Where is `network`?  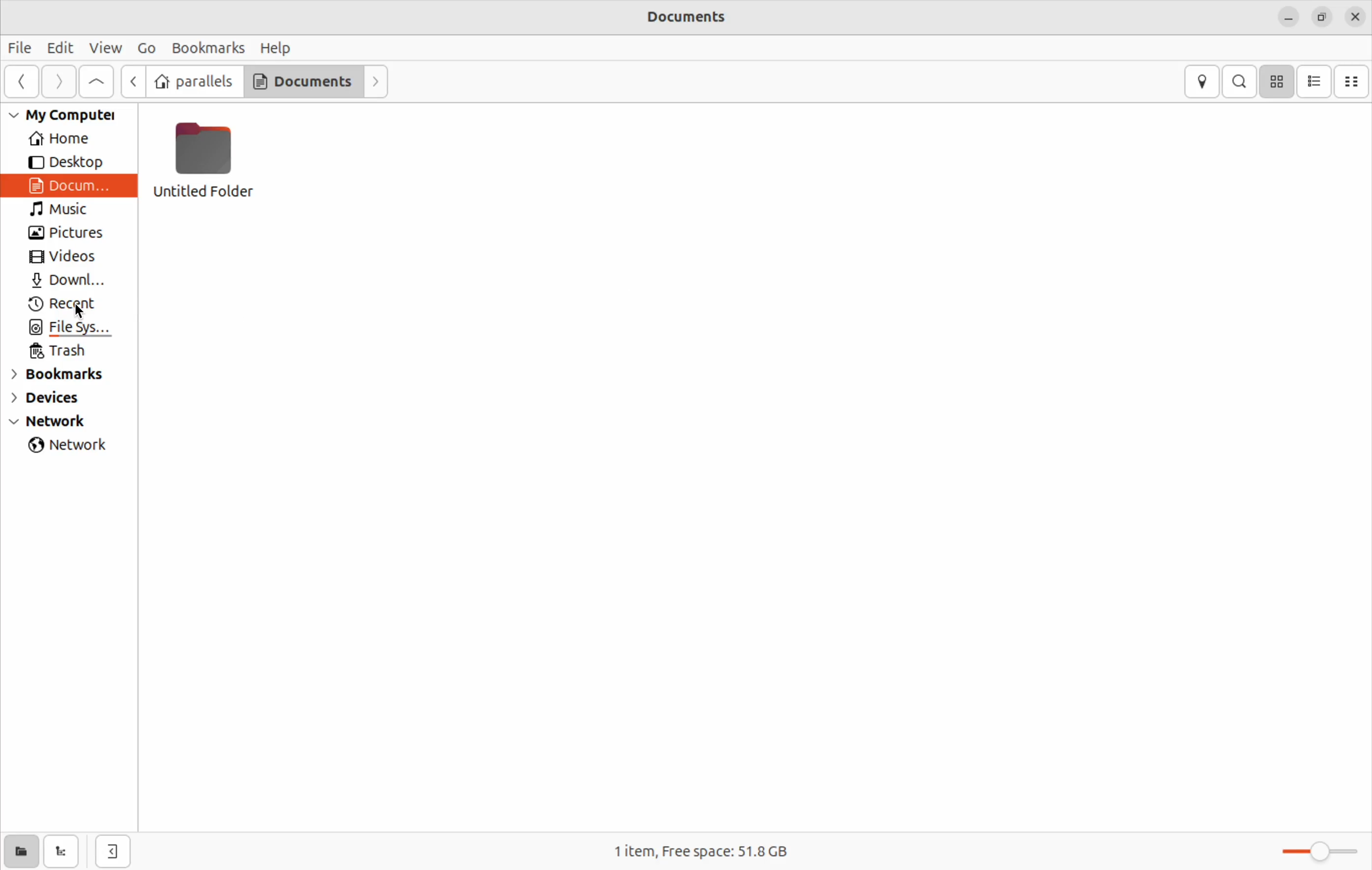 network is located at coordinates (70, 422).